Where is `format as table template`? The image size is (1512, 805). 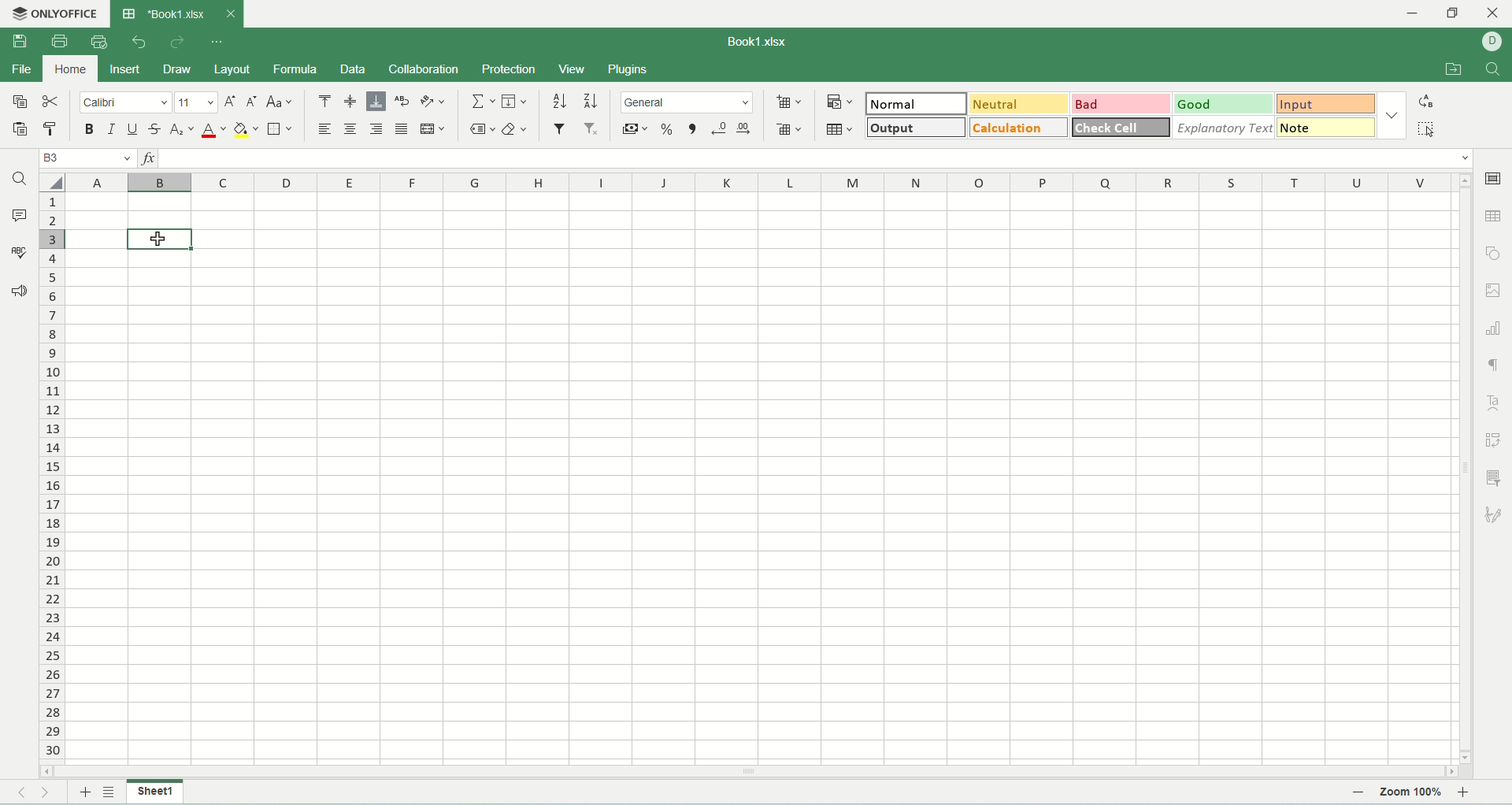
format as table template is located at coordinates (843, 129).